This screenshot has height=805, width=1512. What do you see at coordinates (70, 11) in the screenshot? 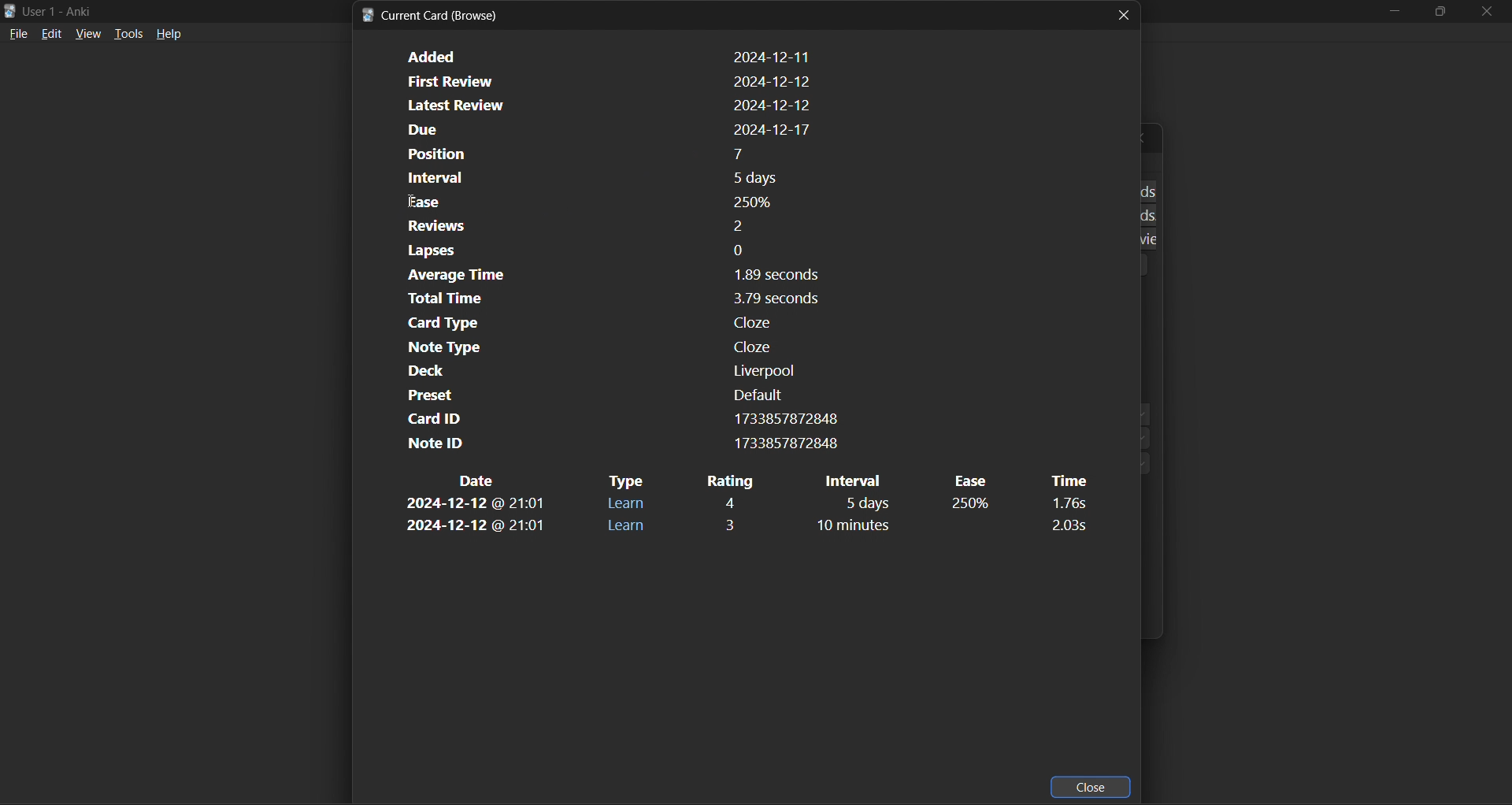
I see `title bar` at bounding box center [70, 11].